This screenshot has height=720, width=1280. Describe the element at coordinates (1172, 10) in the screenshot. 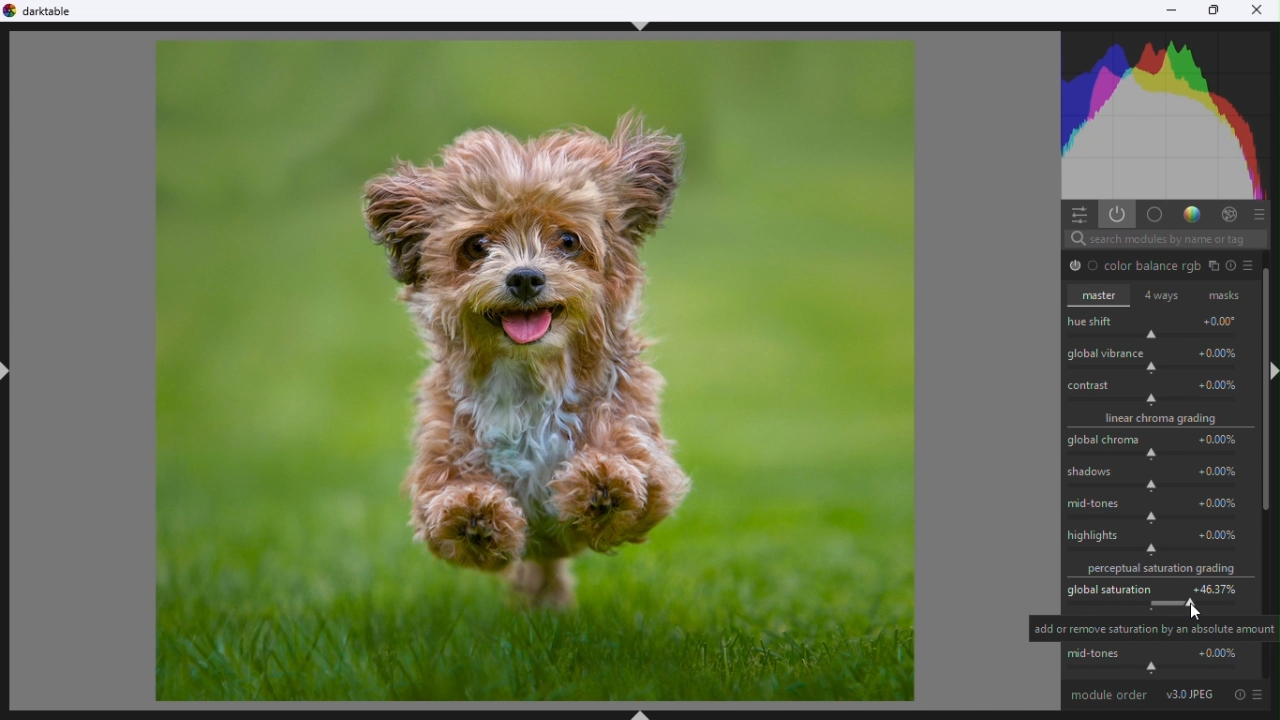

I see `Minimise` at that location.